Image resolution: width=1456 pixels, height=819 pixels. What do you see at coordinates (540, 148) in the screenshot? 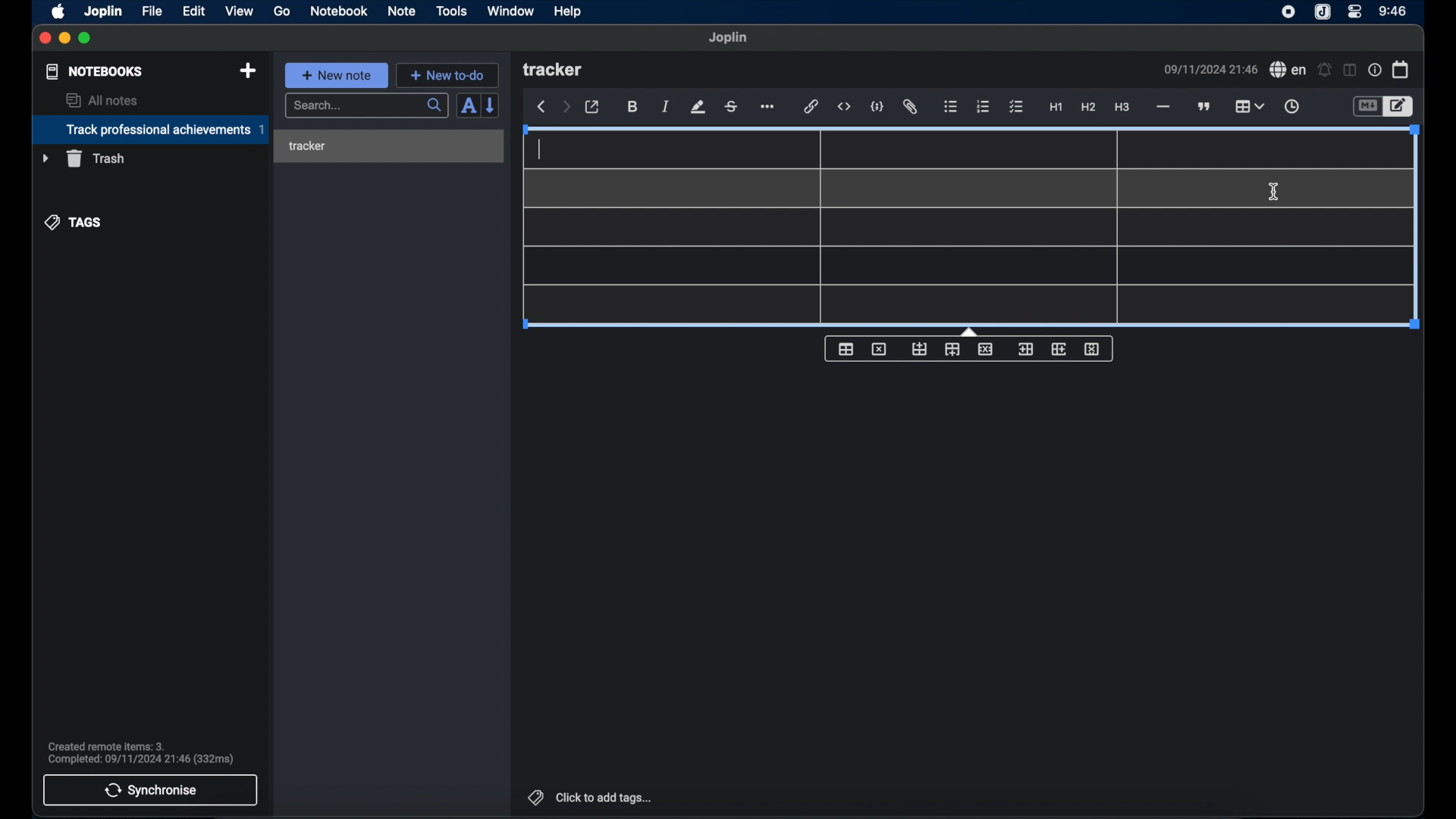
I see `text cursor` at bounding box center [540, 148].